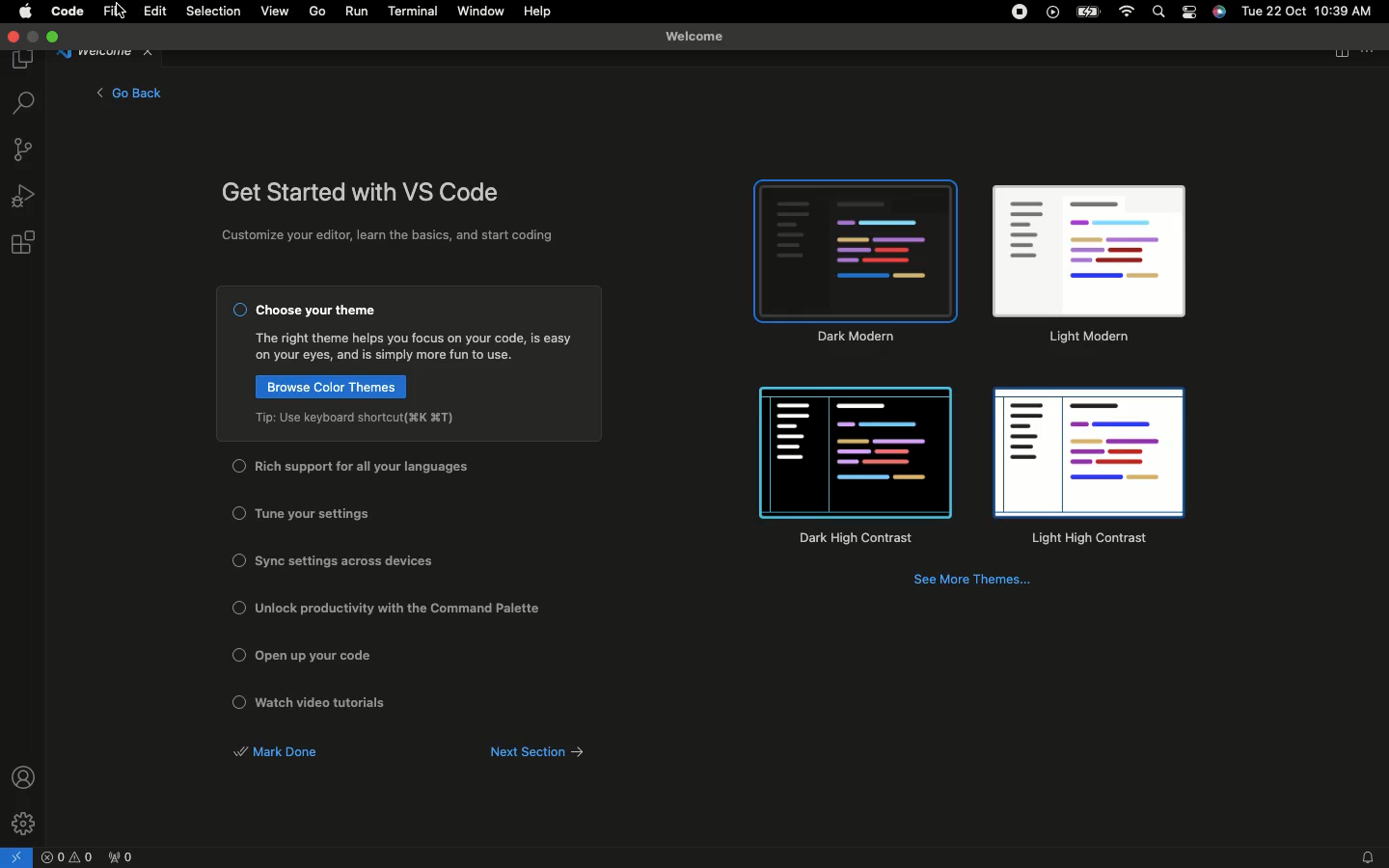  What do you see at coordinates (329, 386) in the screenshot?
I see `Browse color themes` at bounding box center [329, 386].